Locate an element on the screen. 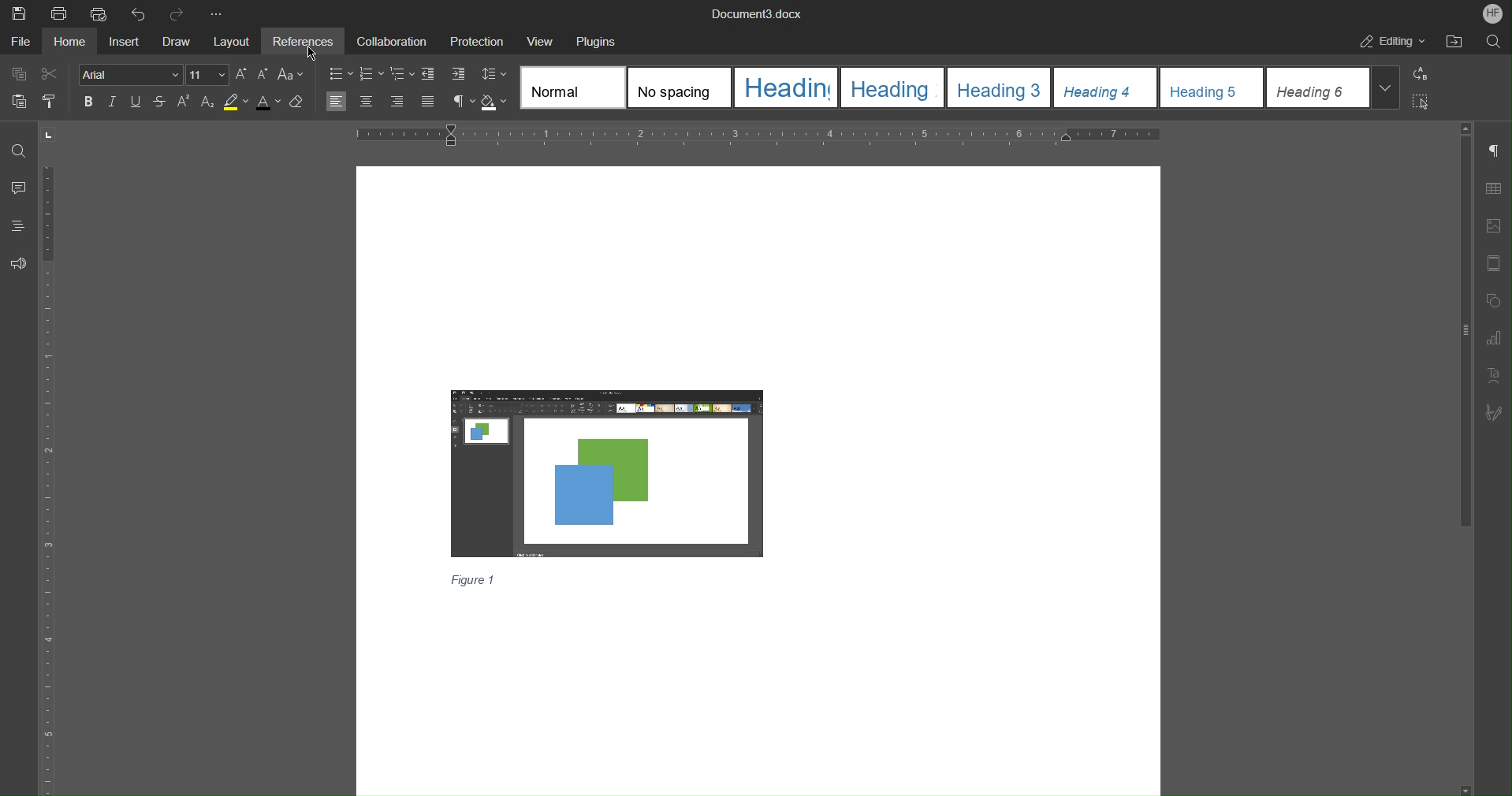  Increase indent is located at coordinates (456, 74).